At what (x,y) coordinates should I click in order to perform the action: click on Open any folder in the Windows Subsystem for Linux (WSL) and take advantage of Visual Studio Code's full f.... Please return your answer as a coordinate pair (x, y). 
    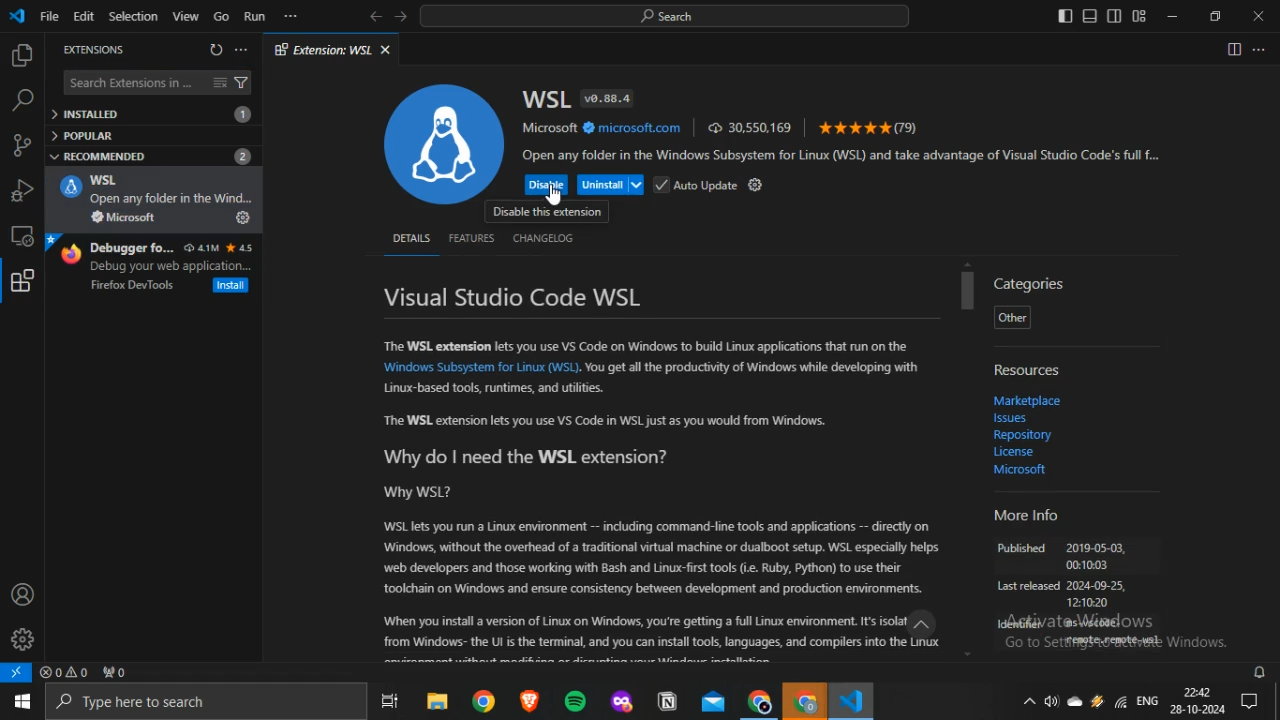
    Looking at the image, I should click on (845, 156).